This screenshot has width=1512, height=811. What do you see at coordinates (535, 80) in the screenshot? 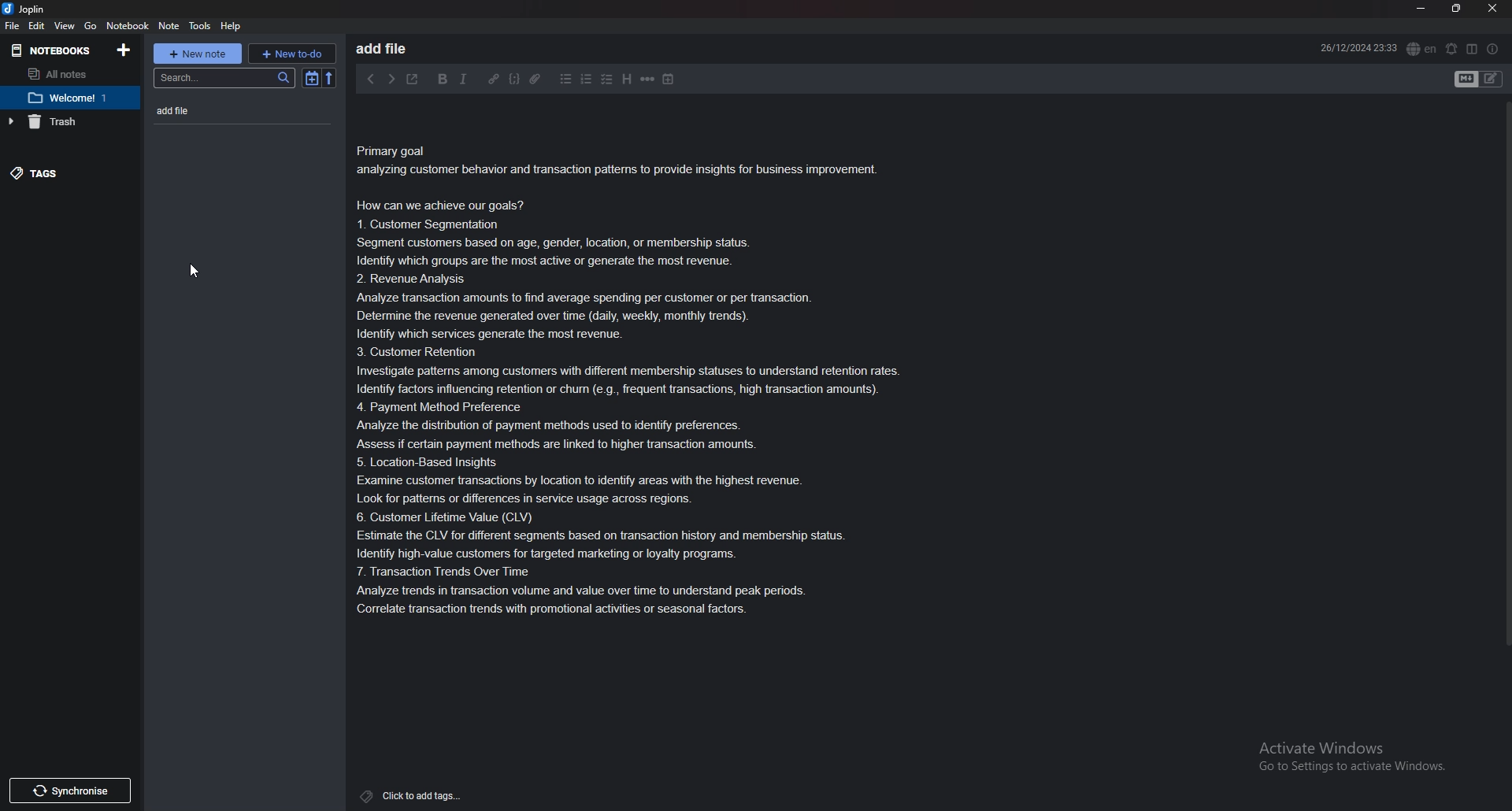
I see `Attachment` at bounding box center [535, 80].